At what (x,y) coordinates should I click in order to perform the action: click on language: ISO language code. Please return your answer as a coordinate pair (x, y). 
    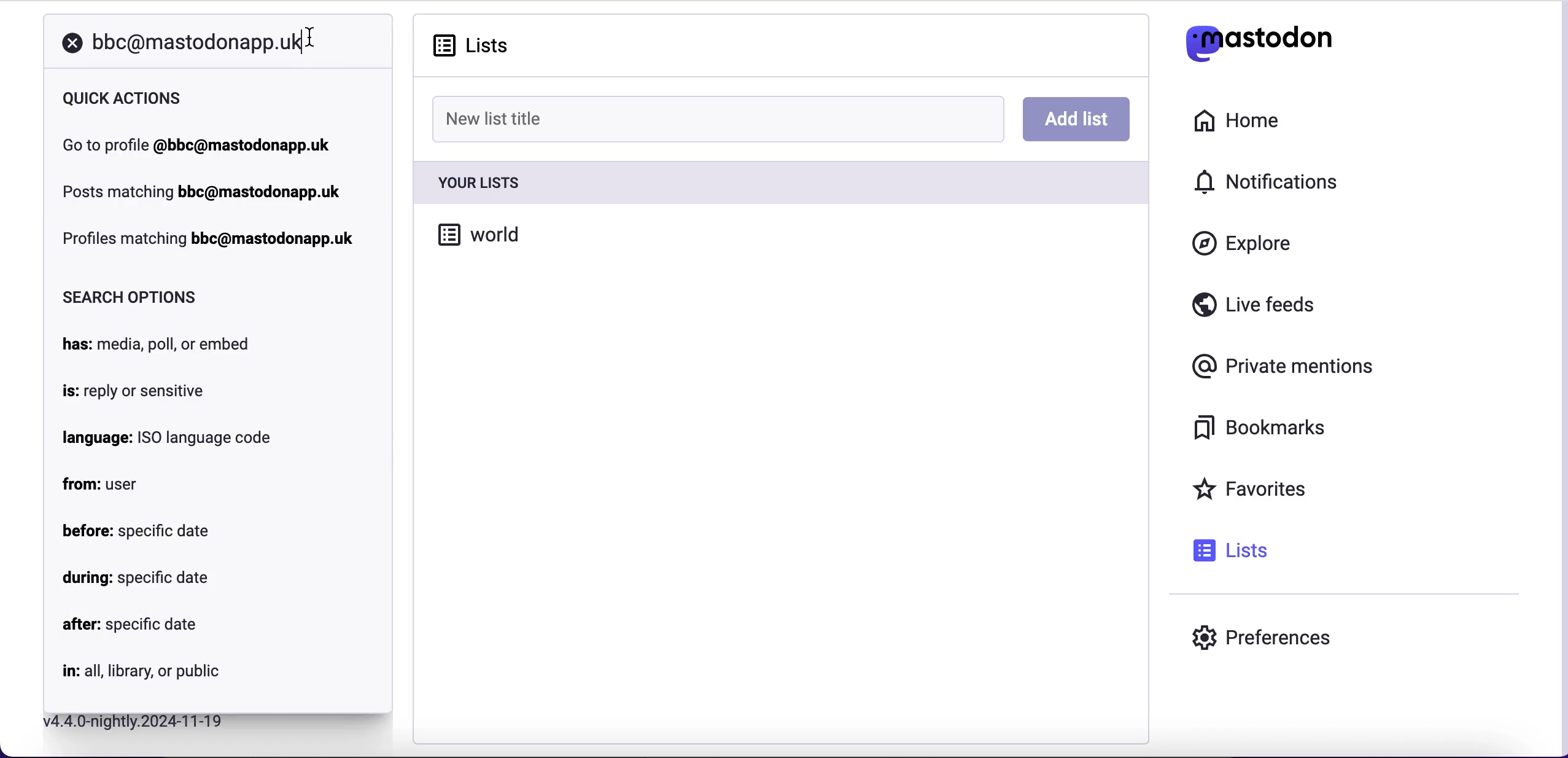
    Looking at the image, I should click on (167, 437).